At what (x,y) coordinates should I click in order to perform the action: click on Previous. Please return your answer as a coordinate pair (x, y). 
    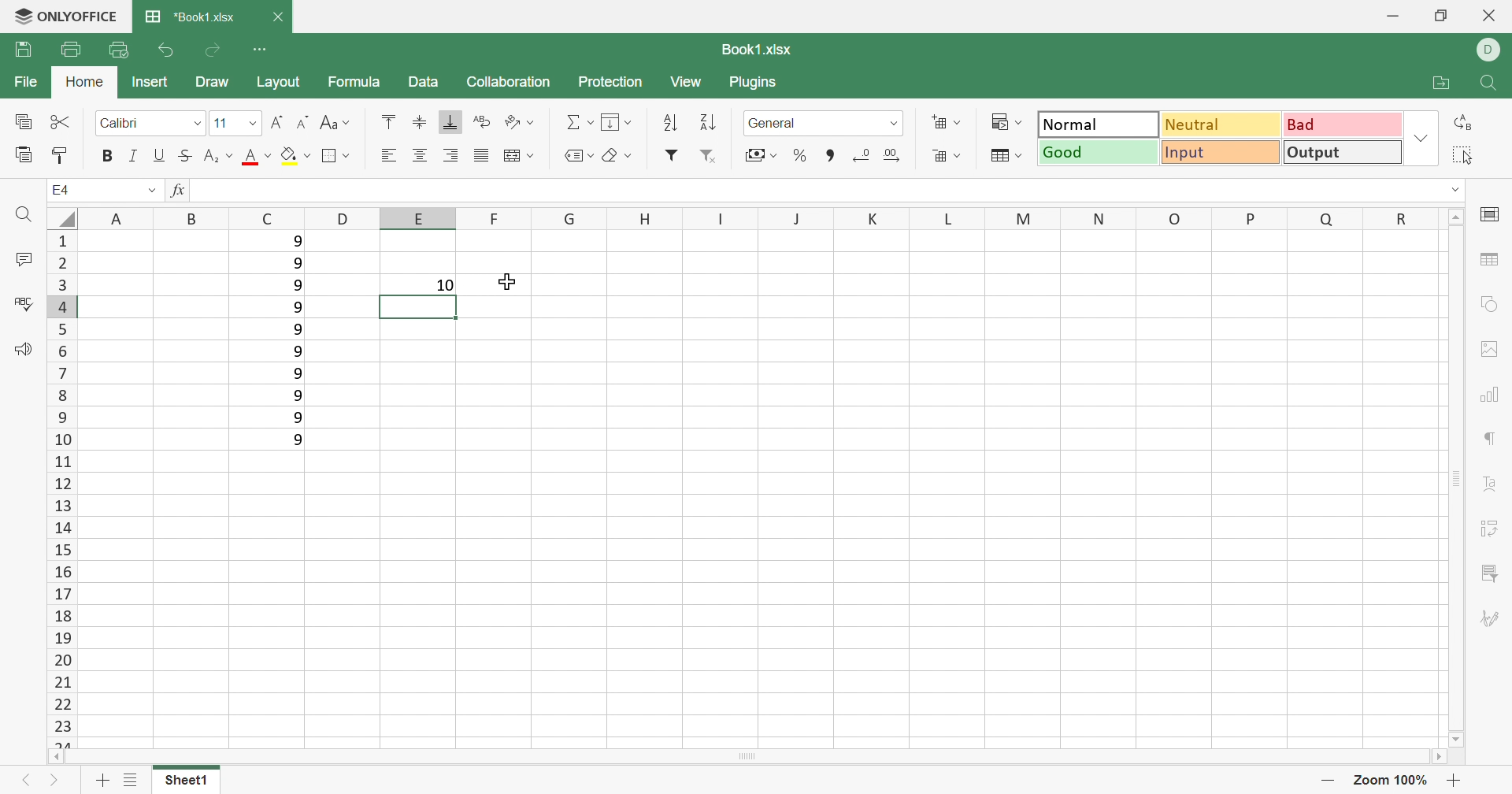
    Looking at the image, I should click on (26, 781).